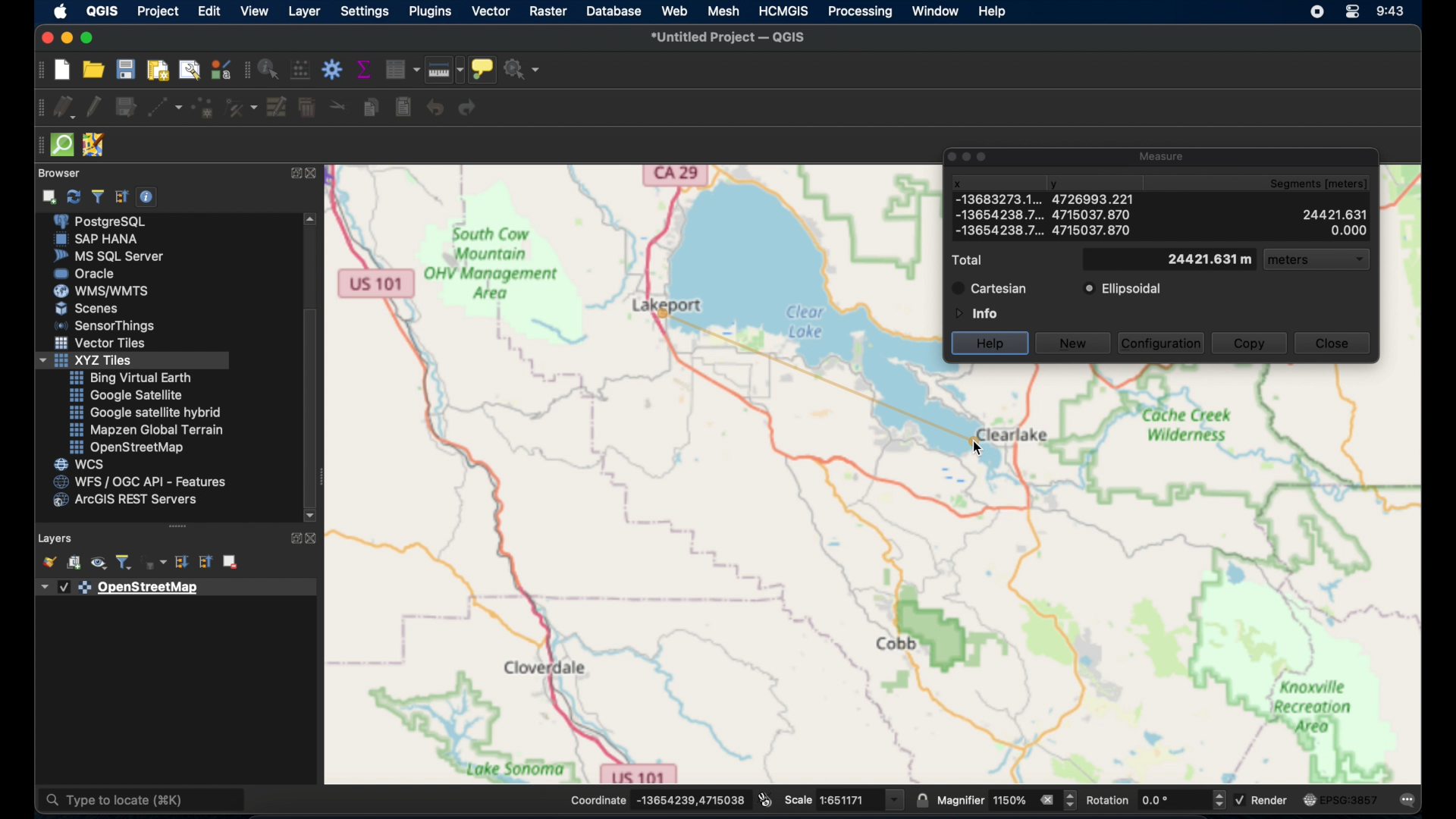 Image resolution: width=1456 pixels, height=819 pixels. I want to click on help, so click(993, 13).